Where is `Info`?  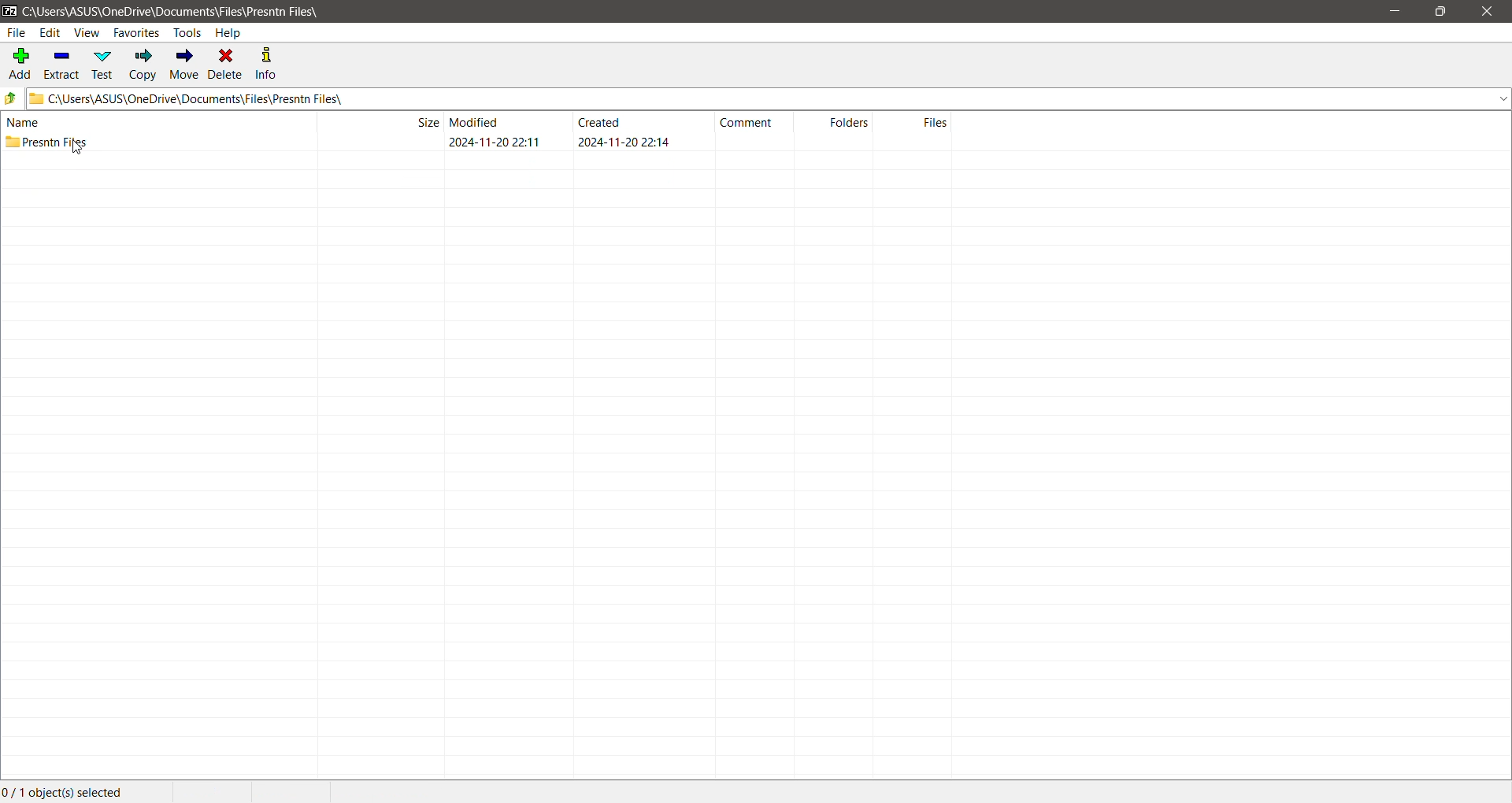
Info is located at coordinates (268, 64).